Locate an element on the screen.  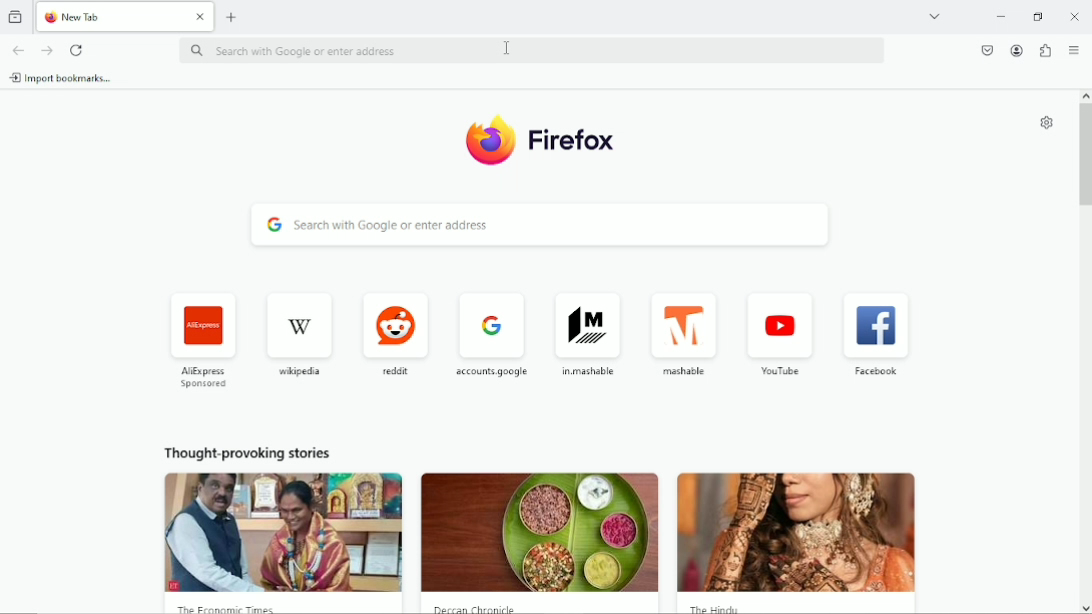
save to pocket is located at coordinates (988, 50).